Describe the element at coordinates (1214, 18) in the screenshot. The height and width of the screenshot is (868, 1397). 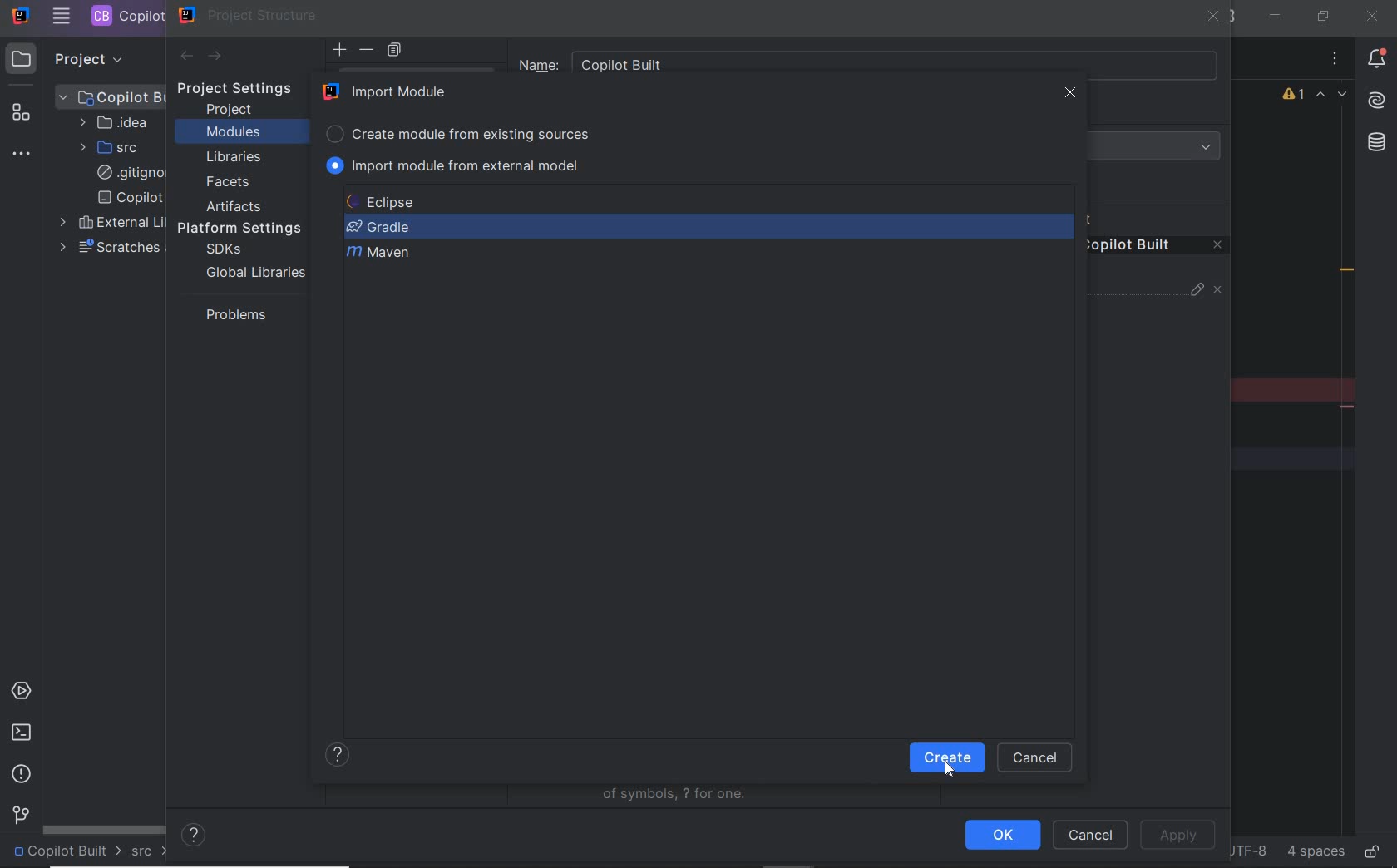
I see `close` at that location.